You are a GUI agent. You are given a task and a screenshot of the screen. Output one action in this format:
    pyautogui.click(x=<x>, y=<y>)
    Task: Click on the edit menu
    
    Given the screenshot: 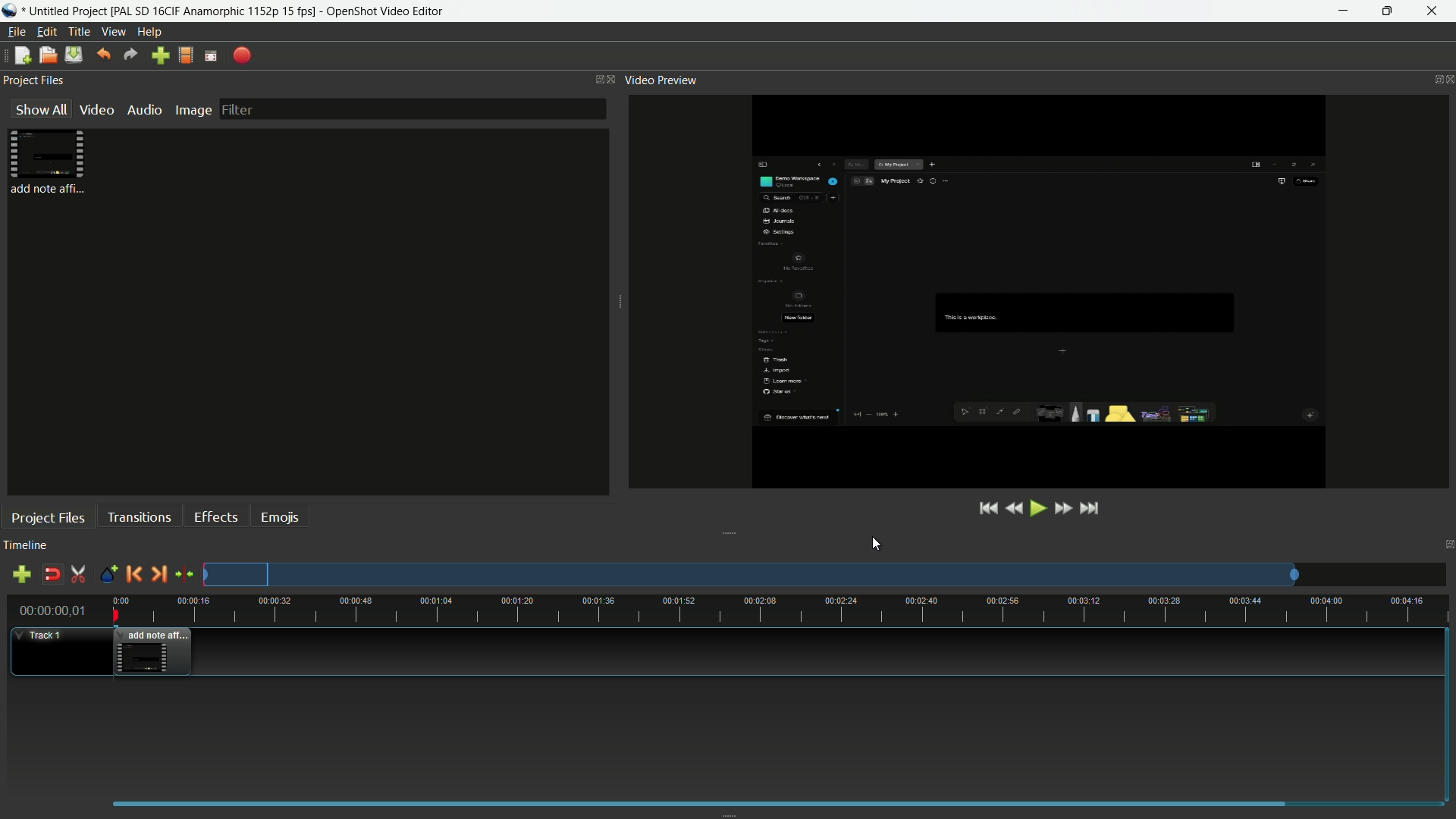 What is the action you would take?
    pyautogui.click(x=47, y=32)
    